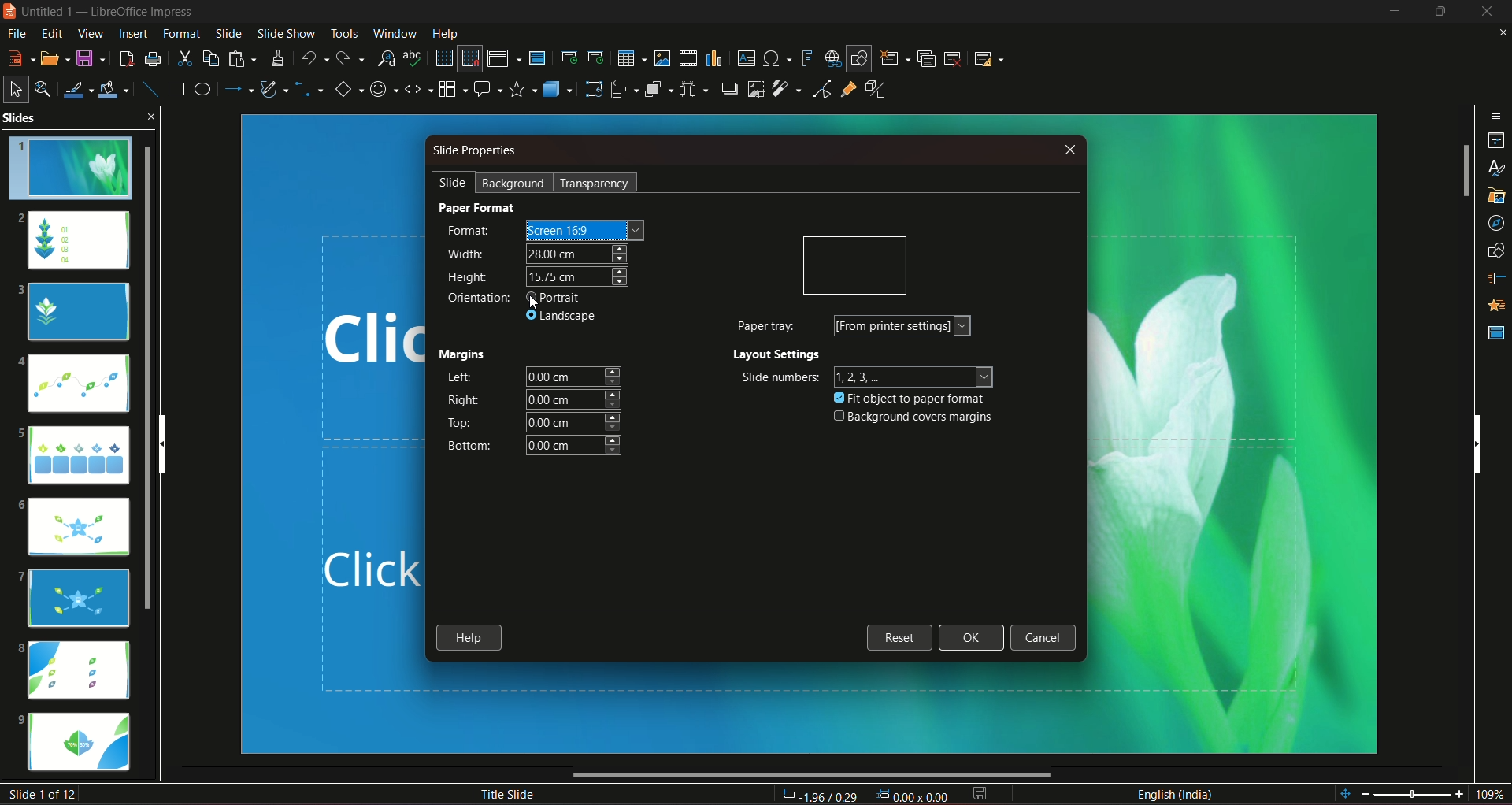  I want to click on insert chart, so click(714, 57).